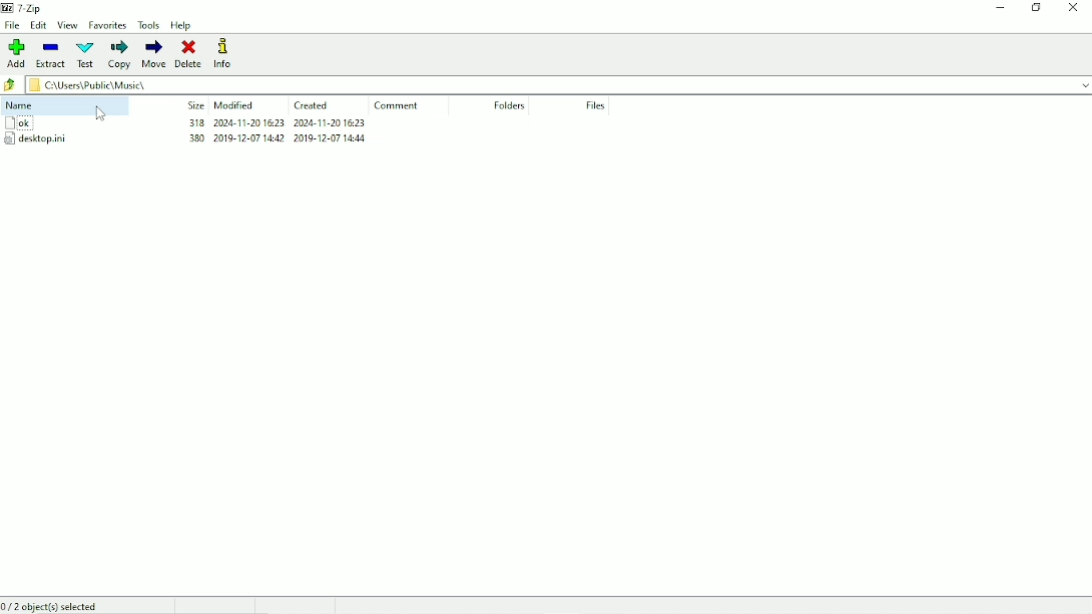 Image resolution: width=1092 pixels, height=614 pixels. What do you see at coordinates (1035, 8) in the screenshot?
I see `Restore down` at bounding box center [1035, 8].